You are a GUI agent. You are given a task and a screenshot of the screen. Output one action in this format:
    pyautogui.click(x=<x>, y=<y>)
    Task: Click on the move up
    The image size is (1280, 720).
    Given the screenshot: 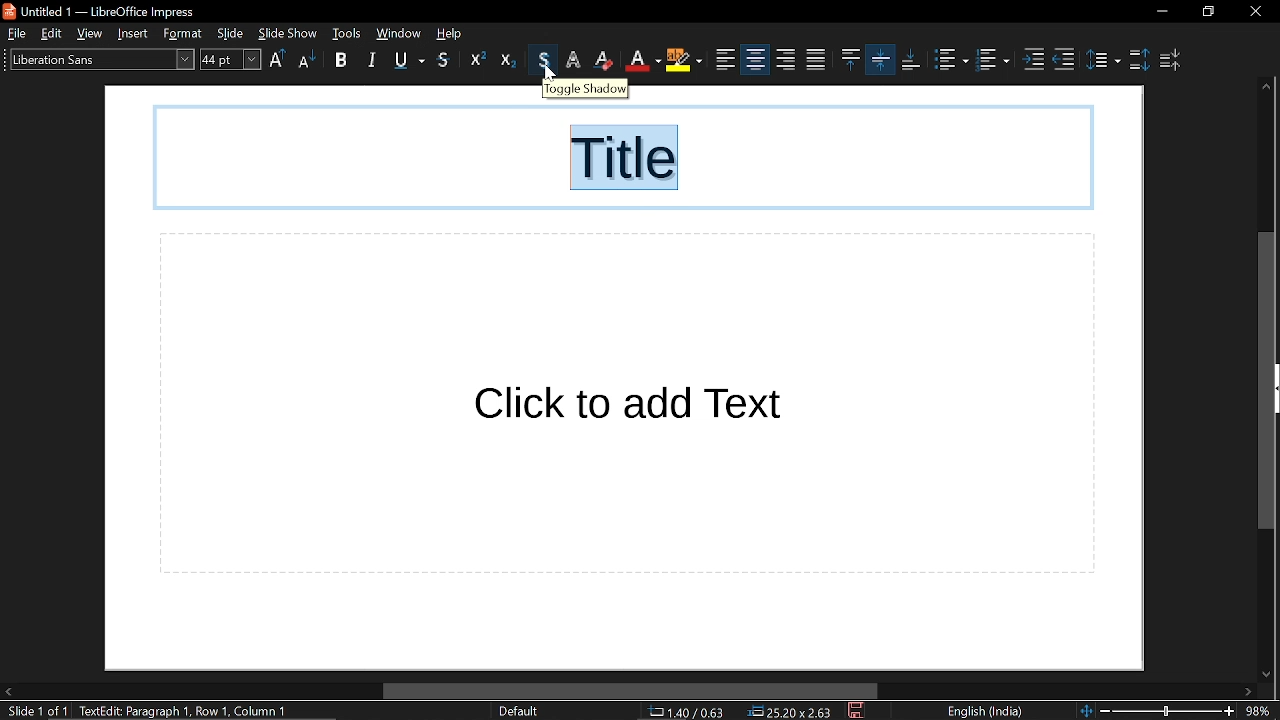 What is the action you would take?
    pyautogui.click(x=1265, y=88)
    